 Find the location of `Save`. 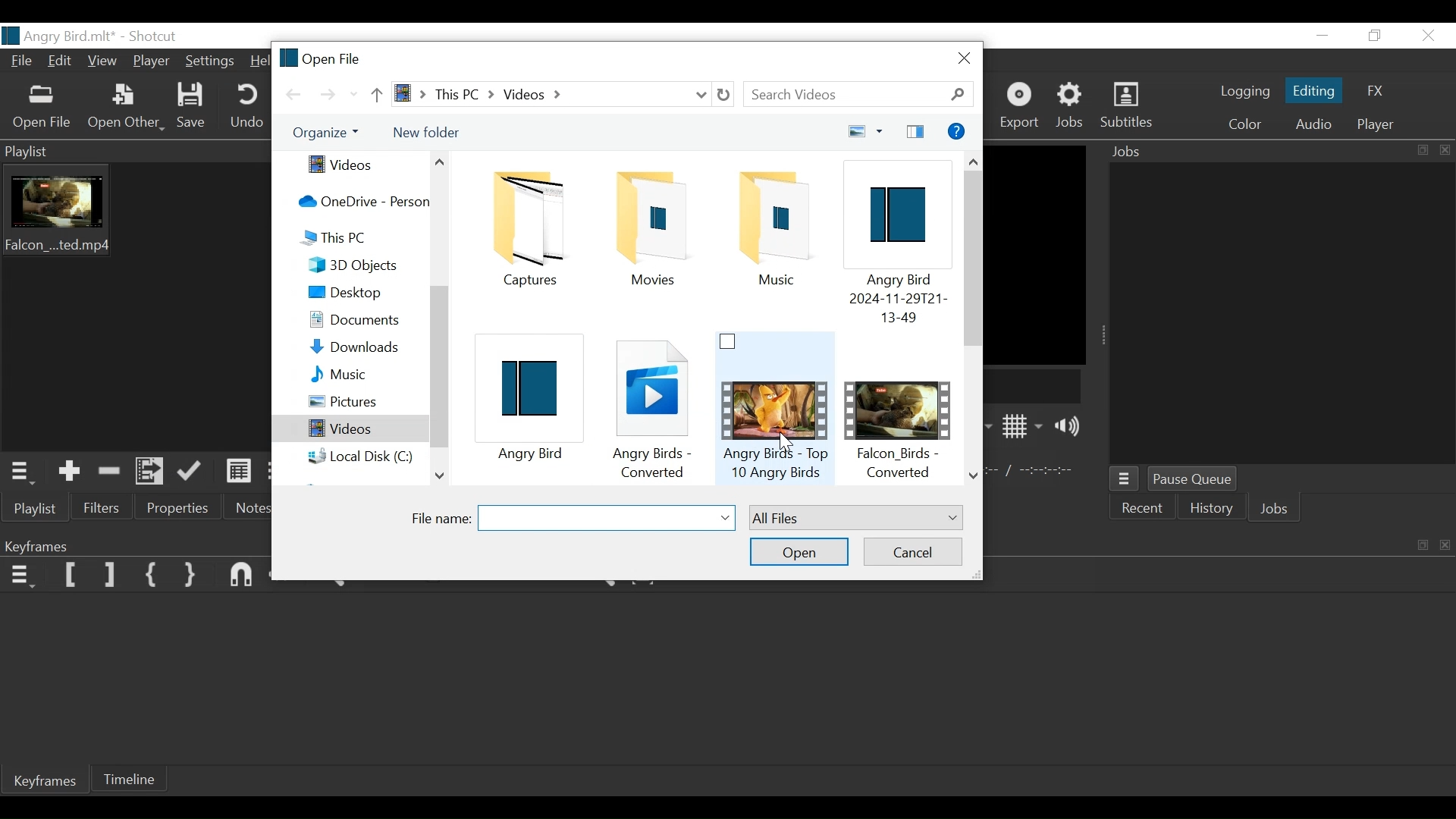

Save is located at coordinates (193, 105).